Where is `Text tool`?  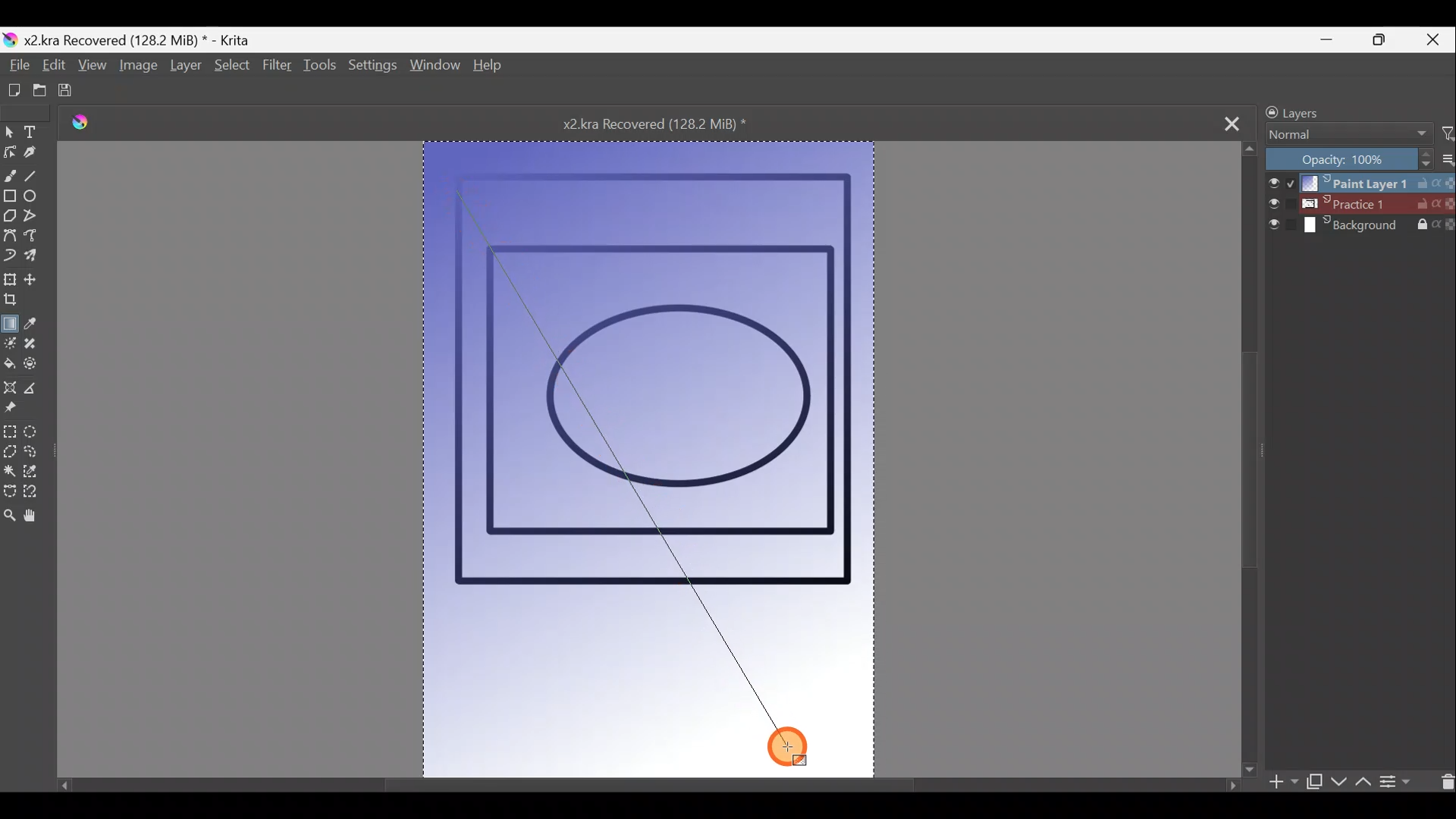
Text tool is located at coordinates (35, 132).